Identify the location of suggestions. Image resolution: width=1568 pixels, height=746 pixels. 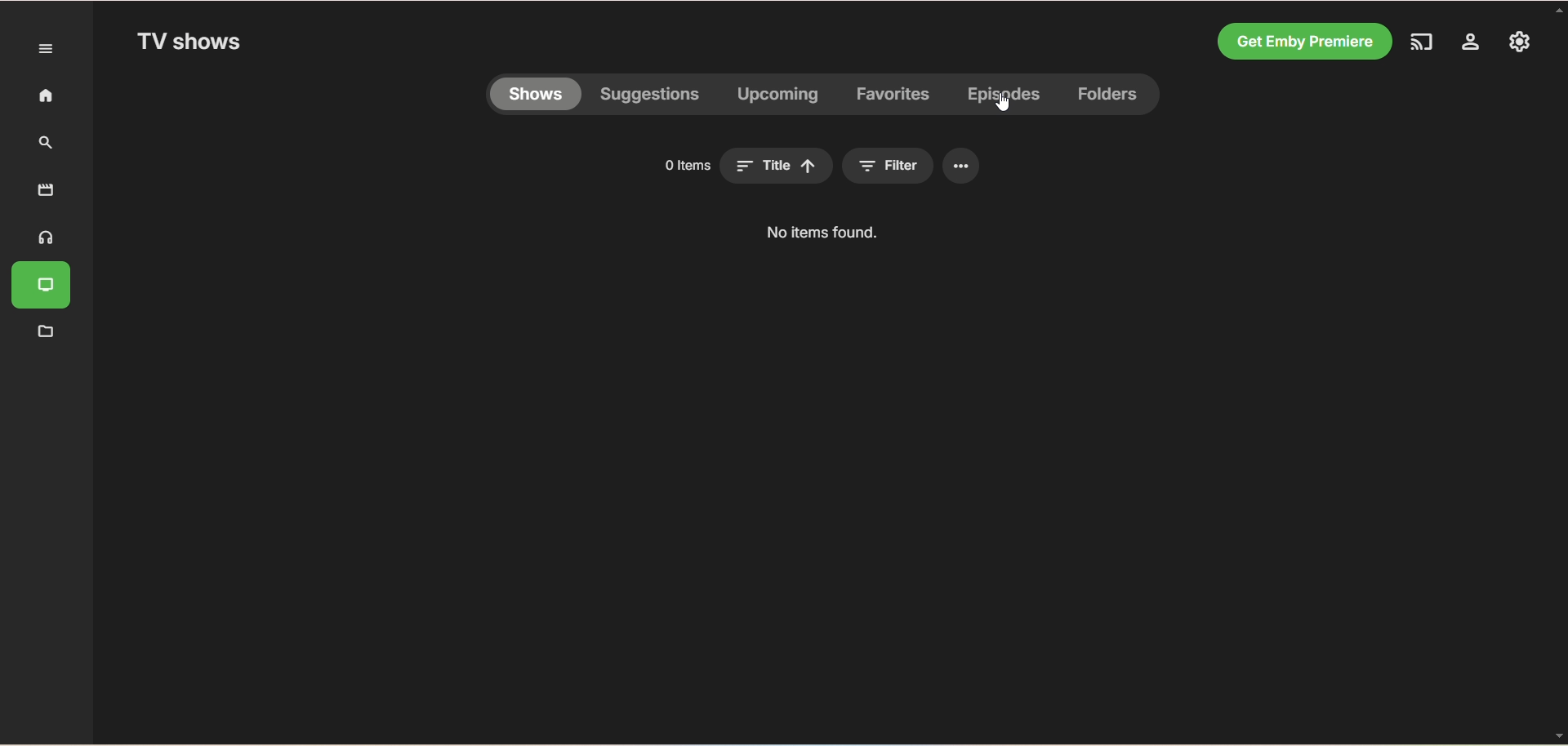
(650, 97).